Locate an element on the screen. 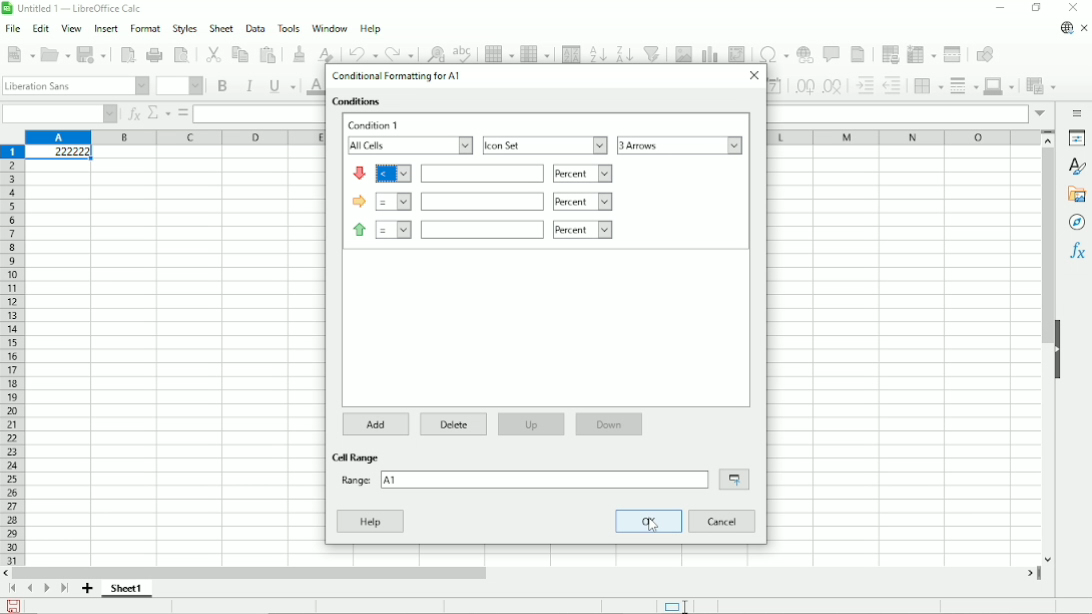  Sheet 1 is located at coordinates (128, 588).